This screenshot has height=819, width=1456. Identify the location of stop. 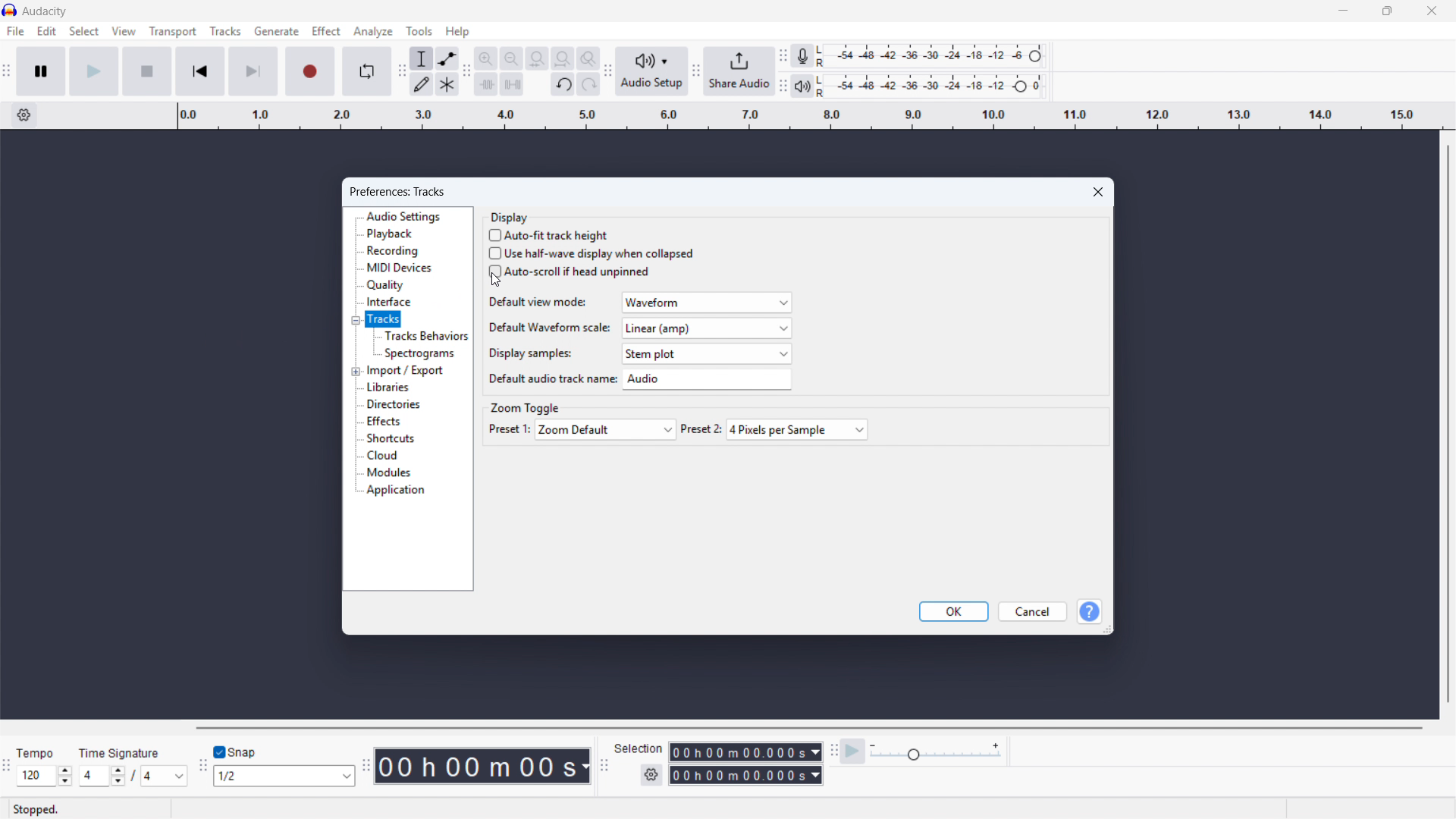
(148, 71).